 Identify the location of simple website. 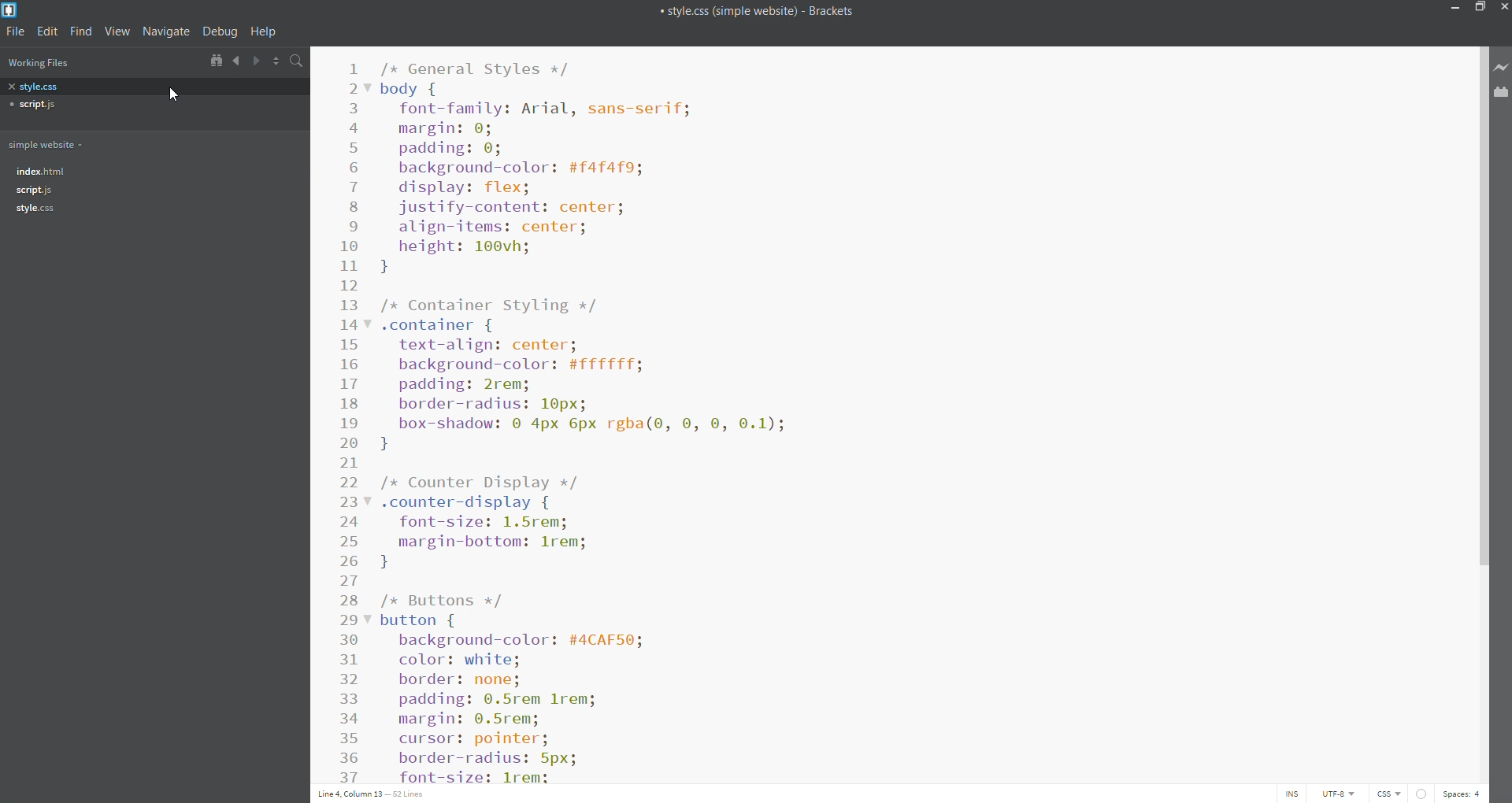
(50, 145).